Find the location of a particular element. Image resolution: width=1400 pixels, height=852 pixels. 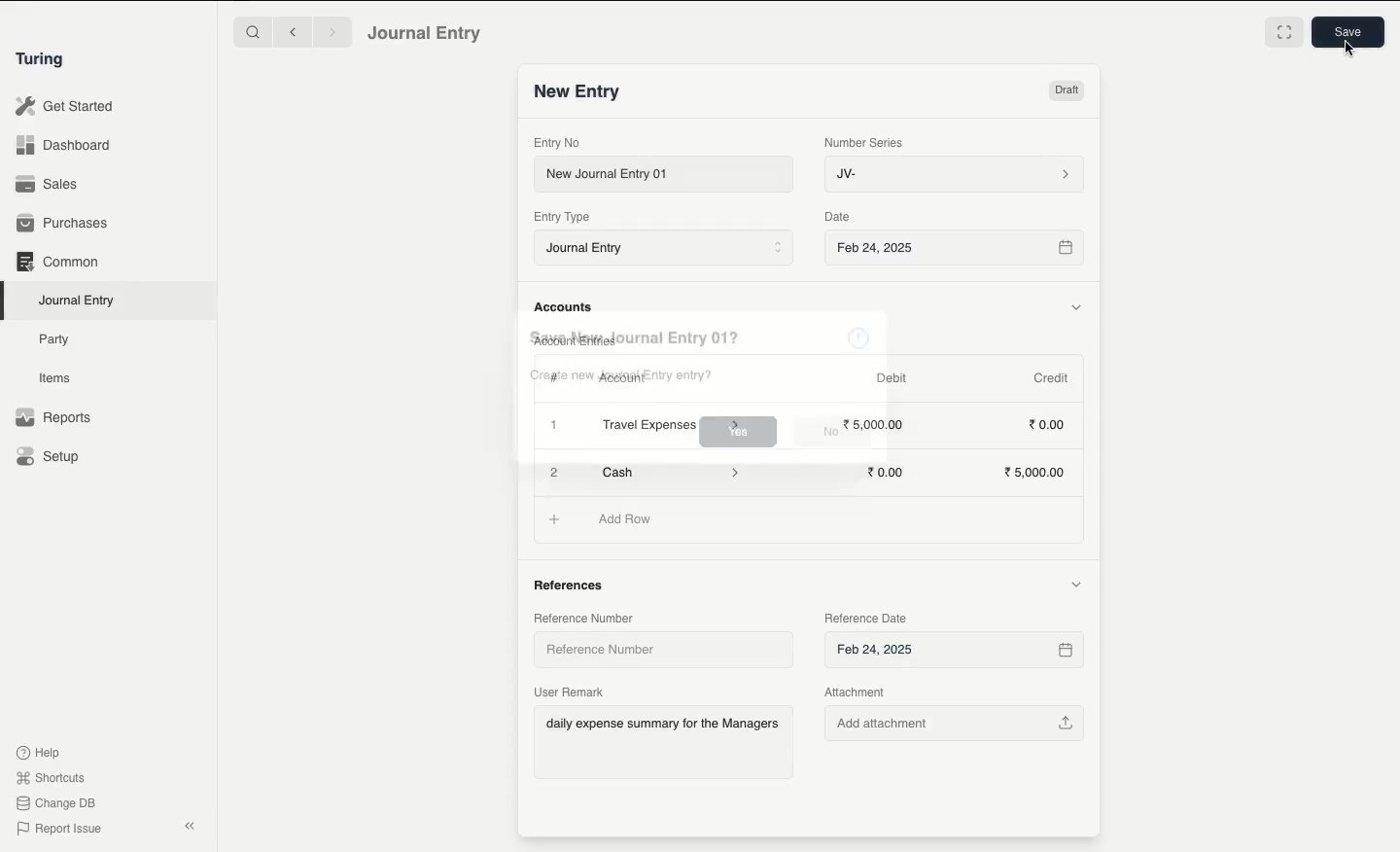

References is located at coordinates (576, 584).